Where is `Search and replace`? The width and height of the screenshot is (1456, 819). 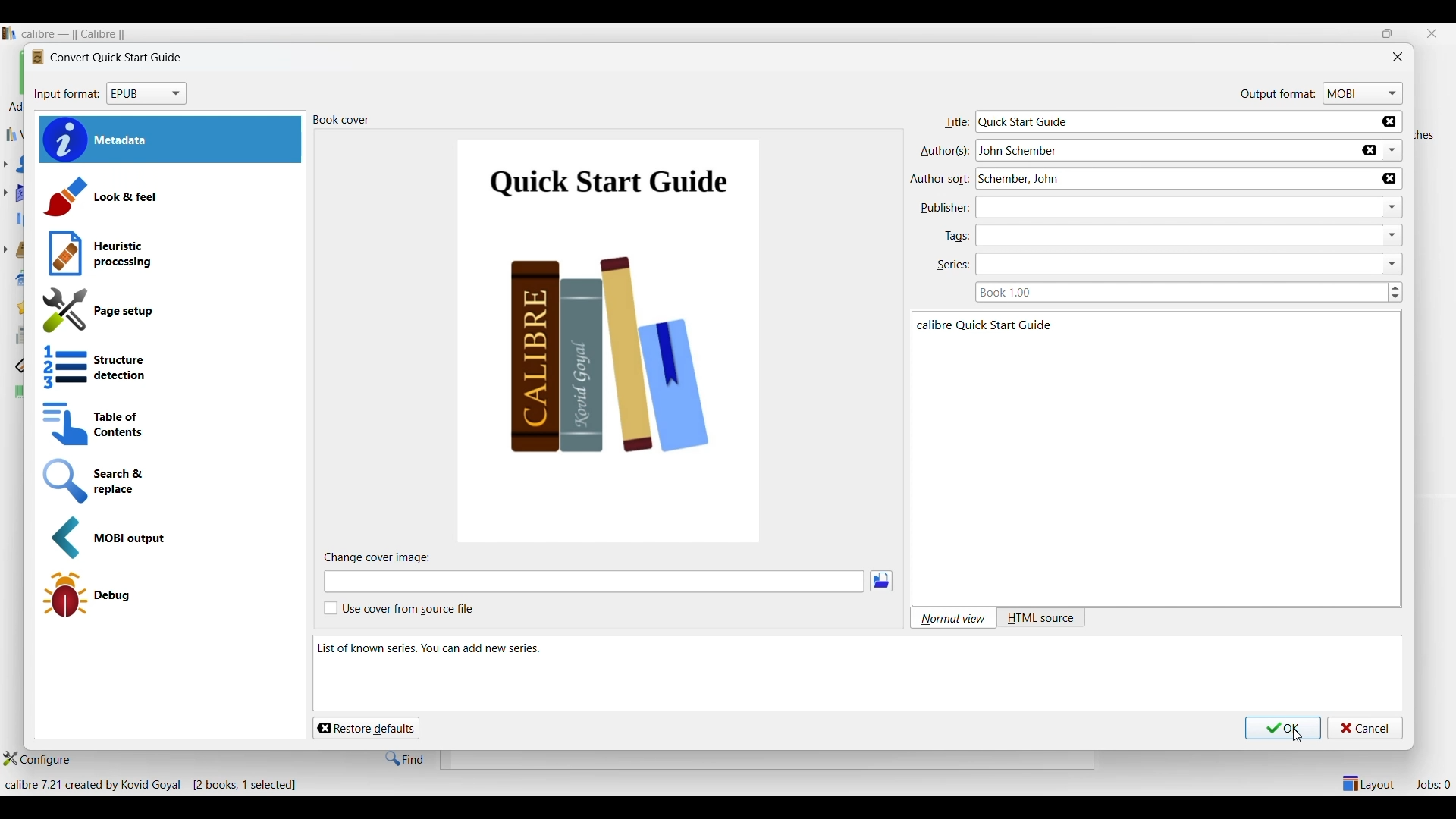 Search and replace is located at coordinates (169, 481).